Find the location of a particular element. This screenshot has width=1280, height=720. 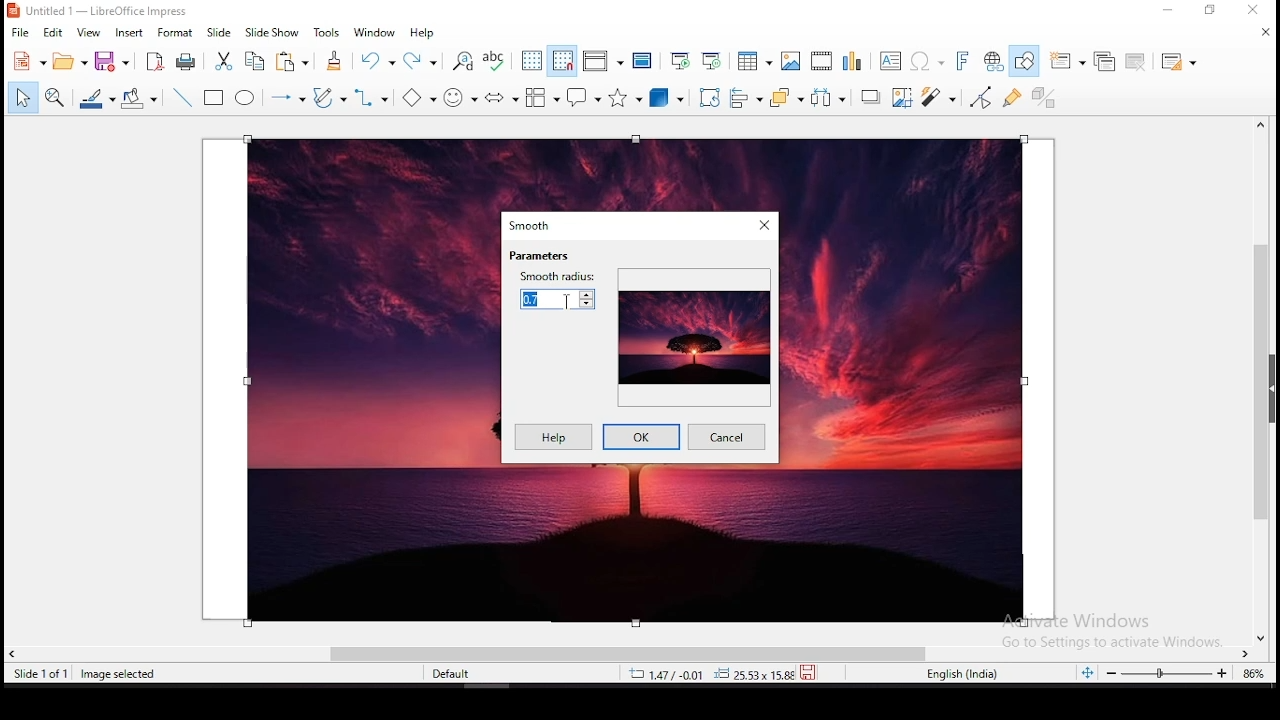

insert special characters is located at coordinates (925, 61).